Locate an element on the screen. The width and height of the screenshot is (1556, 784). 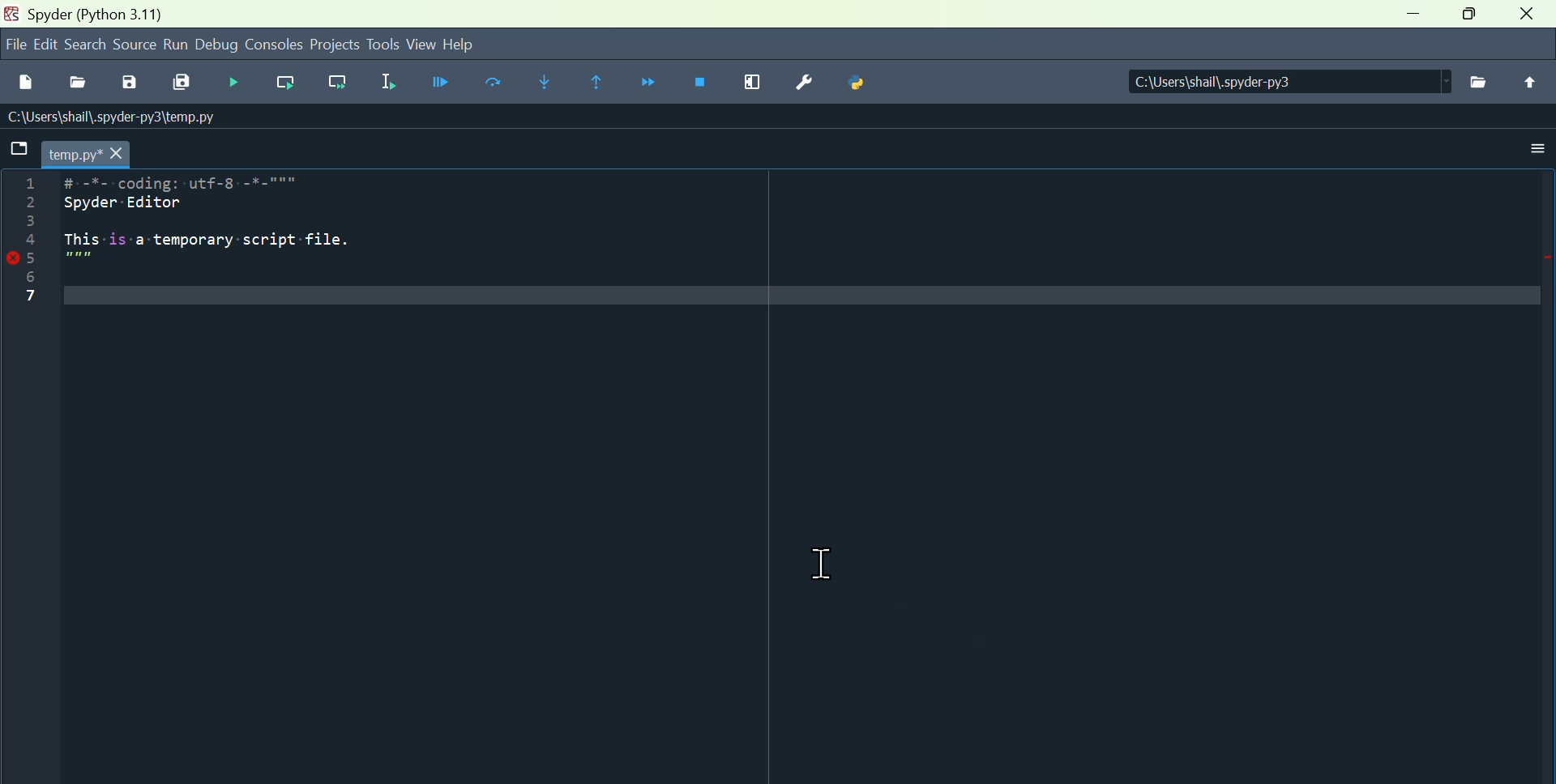
Source is located at coordinates (137, 47).